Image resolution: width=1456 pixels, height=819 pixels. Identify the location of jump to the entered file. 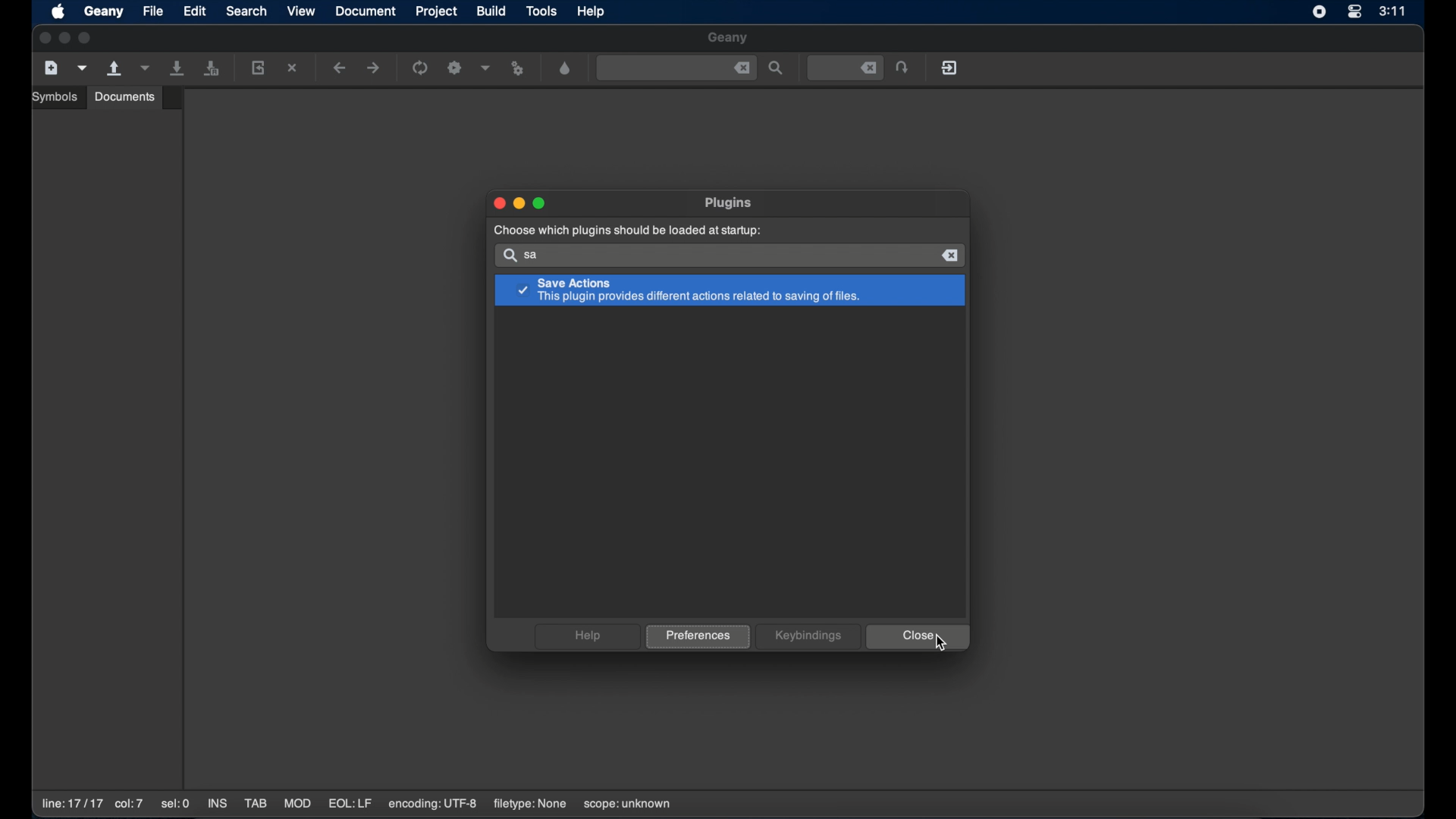
(903, 68).